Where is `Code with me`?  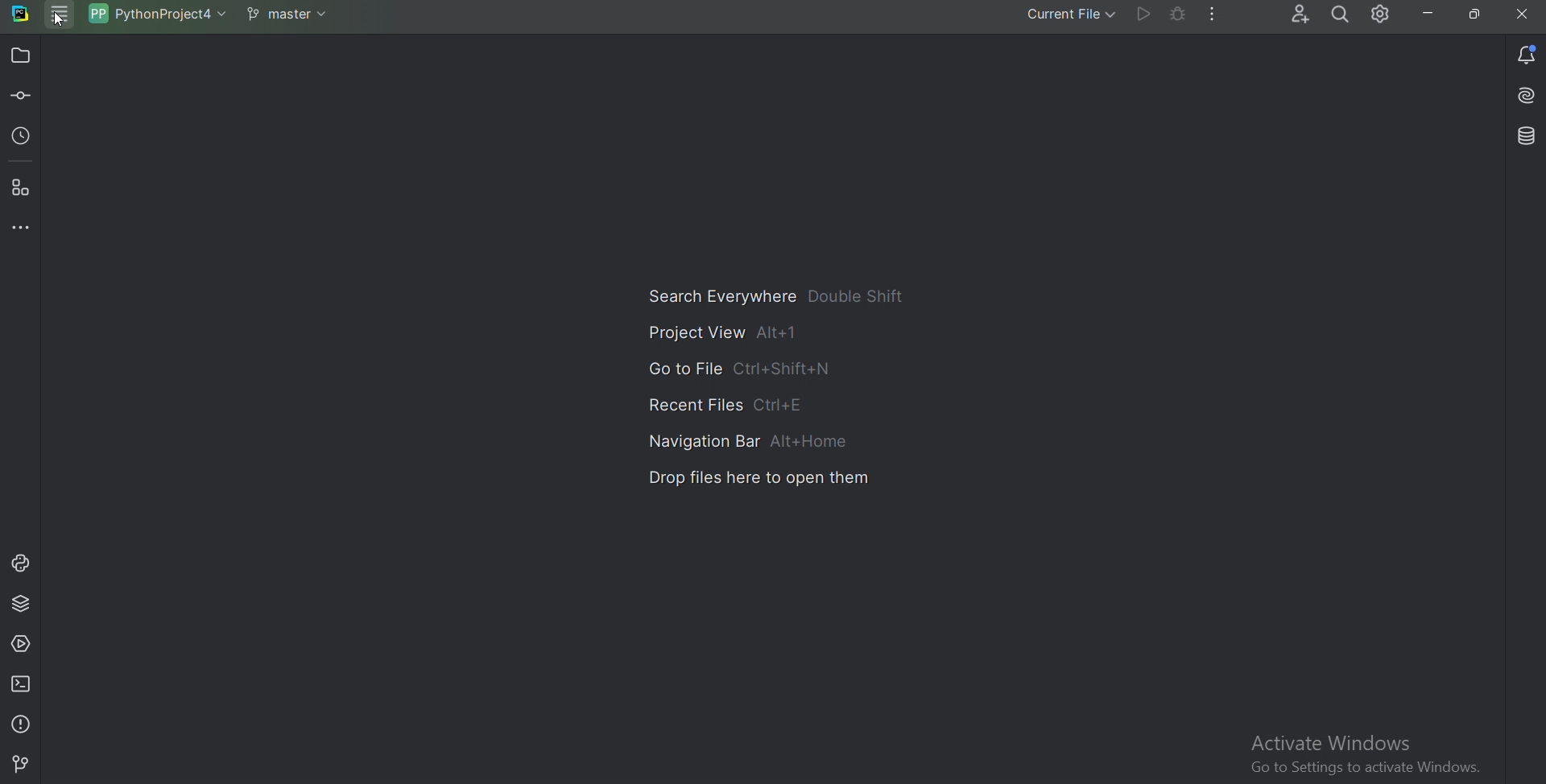 Code with me is located at coordinates (1298, 14).